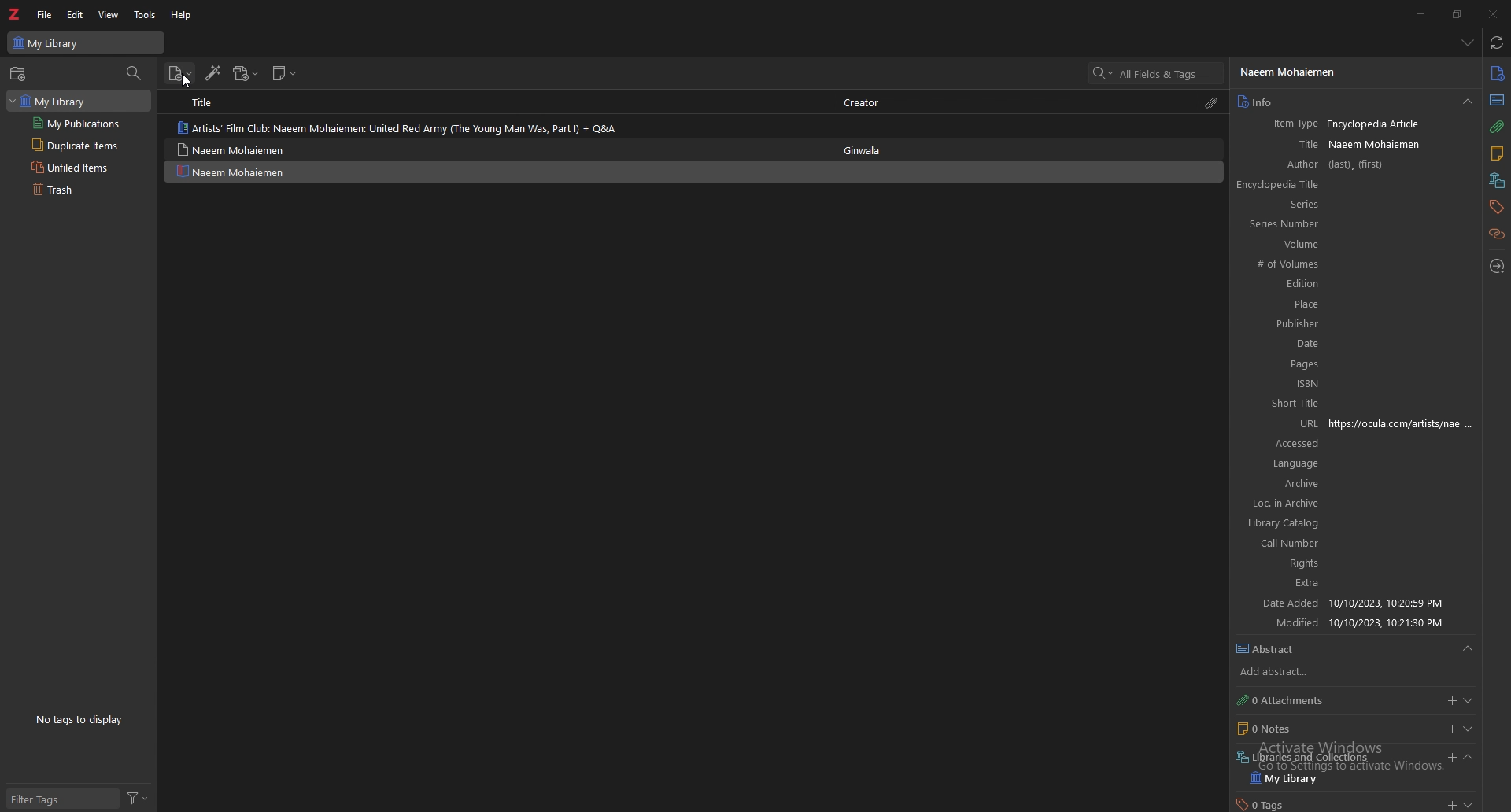  Describe the element at coordinates (61, 799) in the screenshot. I see `filter tags` at that location.